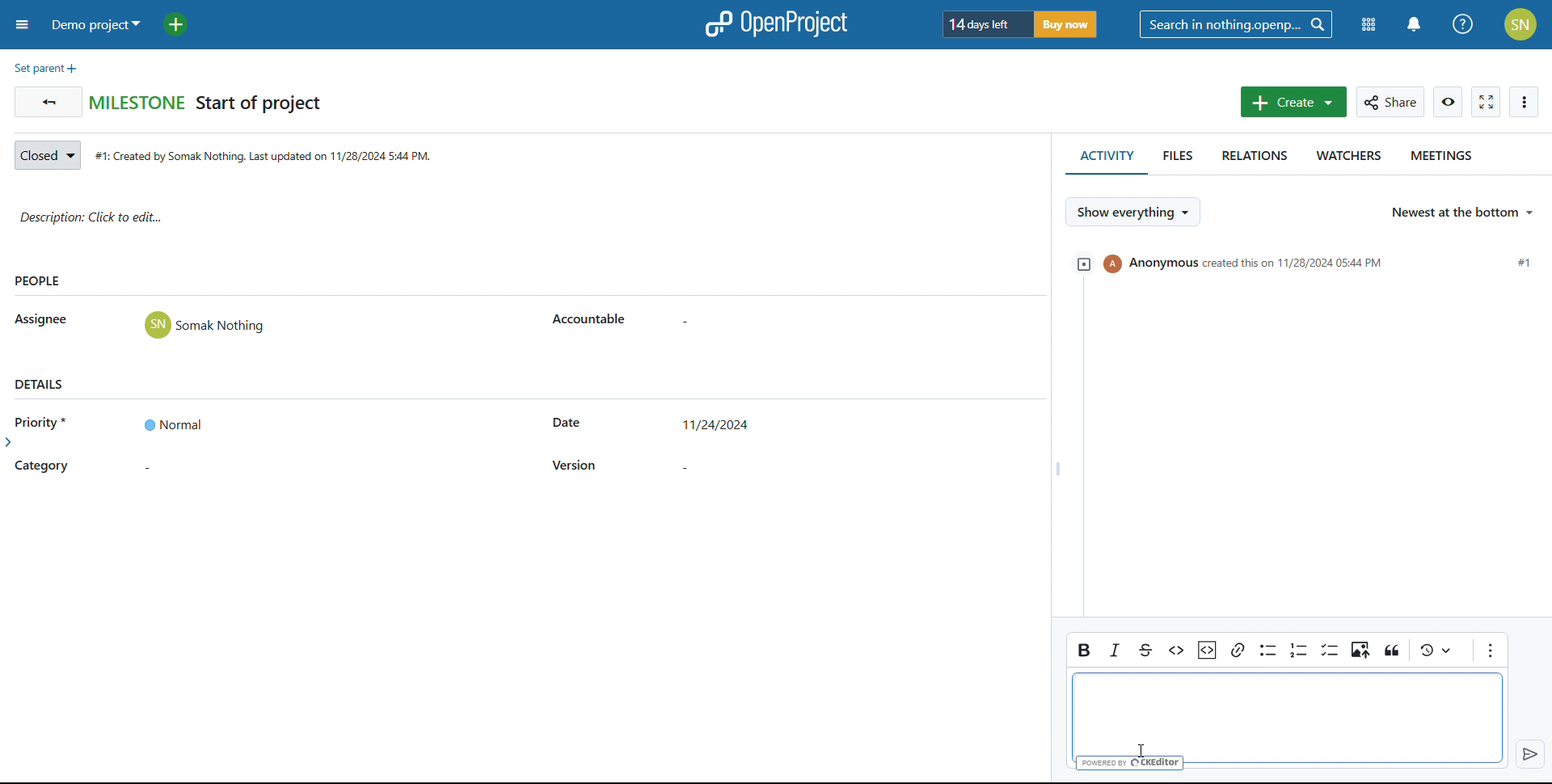 This screenshot has height=784, width=1552. I want to click on set status, so click(47, 156).